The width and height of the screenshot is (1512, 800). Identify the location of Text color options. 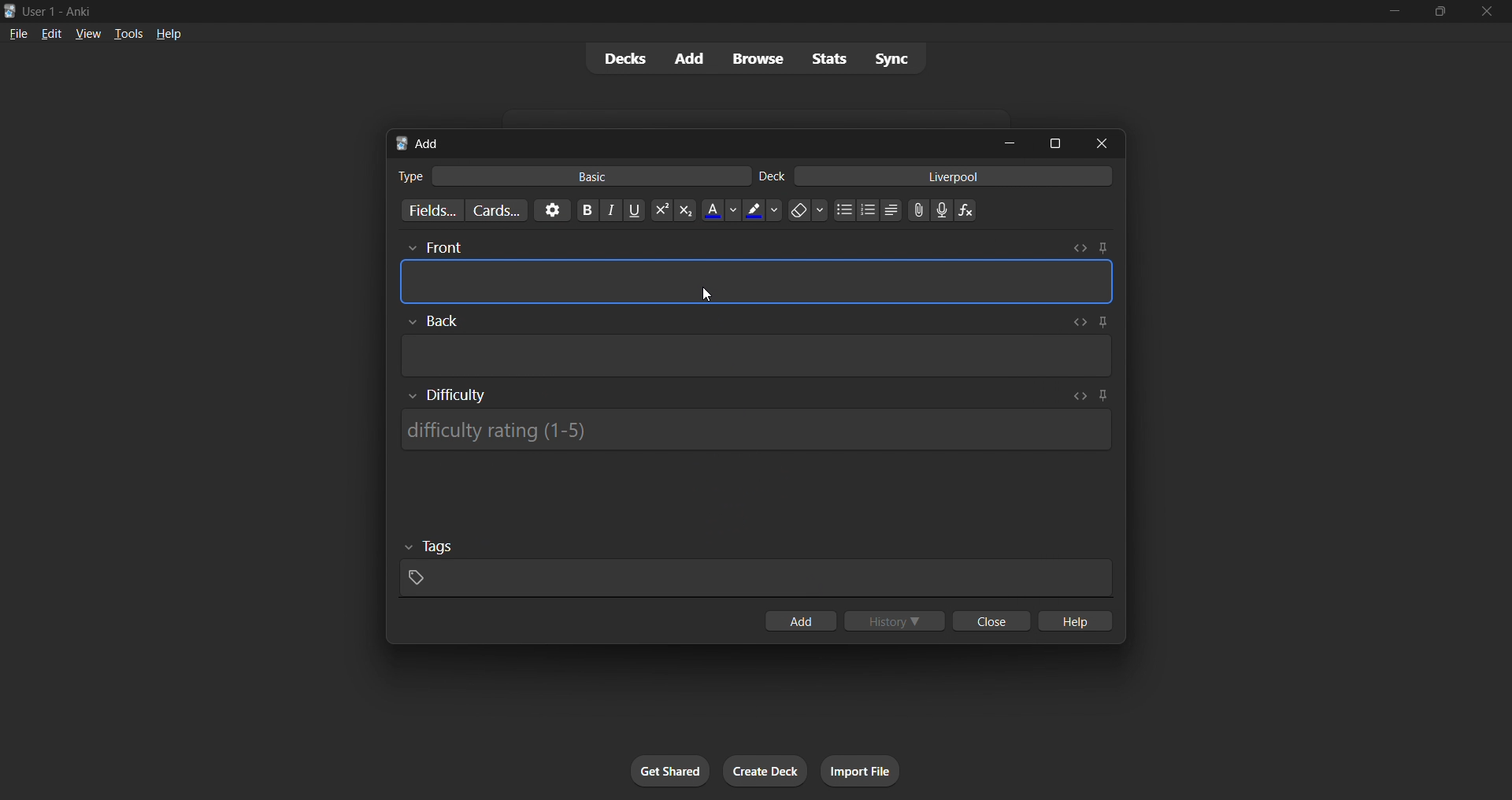
(720, 209).